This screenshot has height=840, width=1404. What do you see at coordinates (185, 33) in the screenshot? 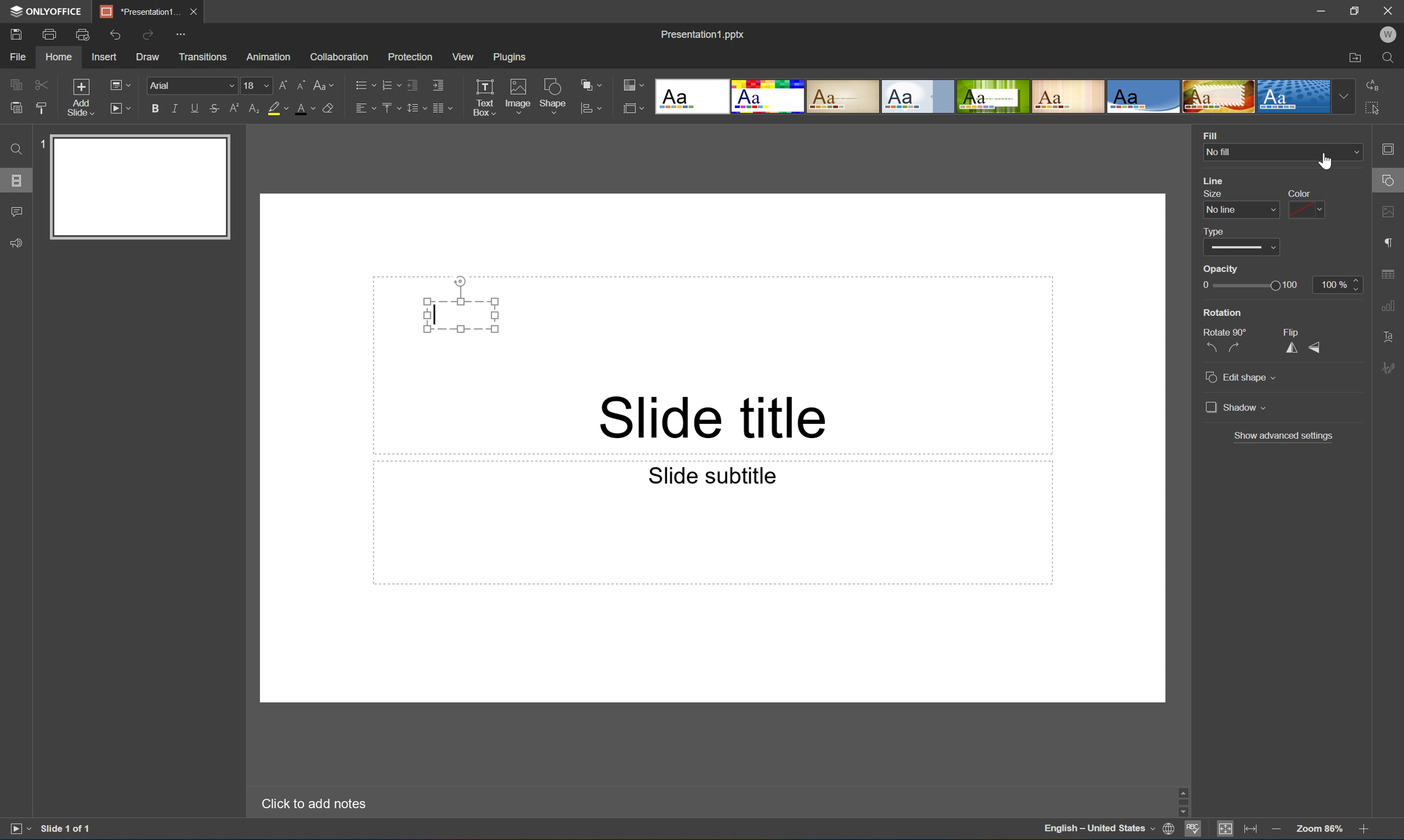
I see `Customize quick access toolbar` at bounding box center [185, 33].